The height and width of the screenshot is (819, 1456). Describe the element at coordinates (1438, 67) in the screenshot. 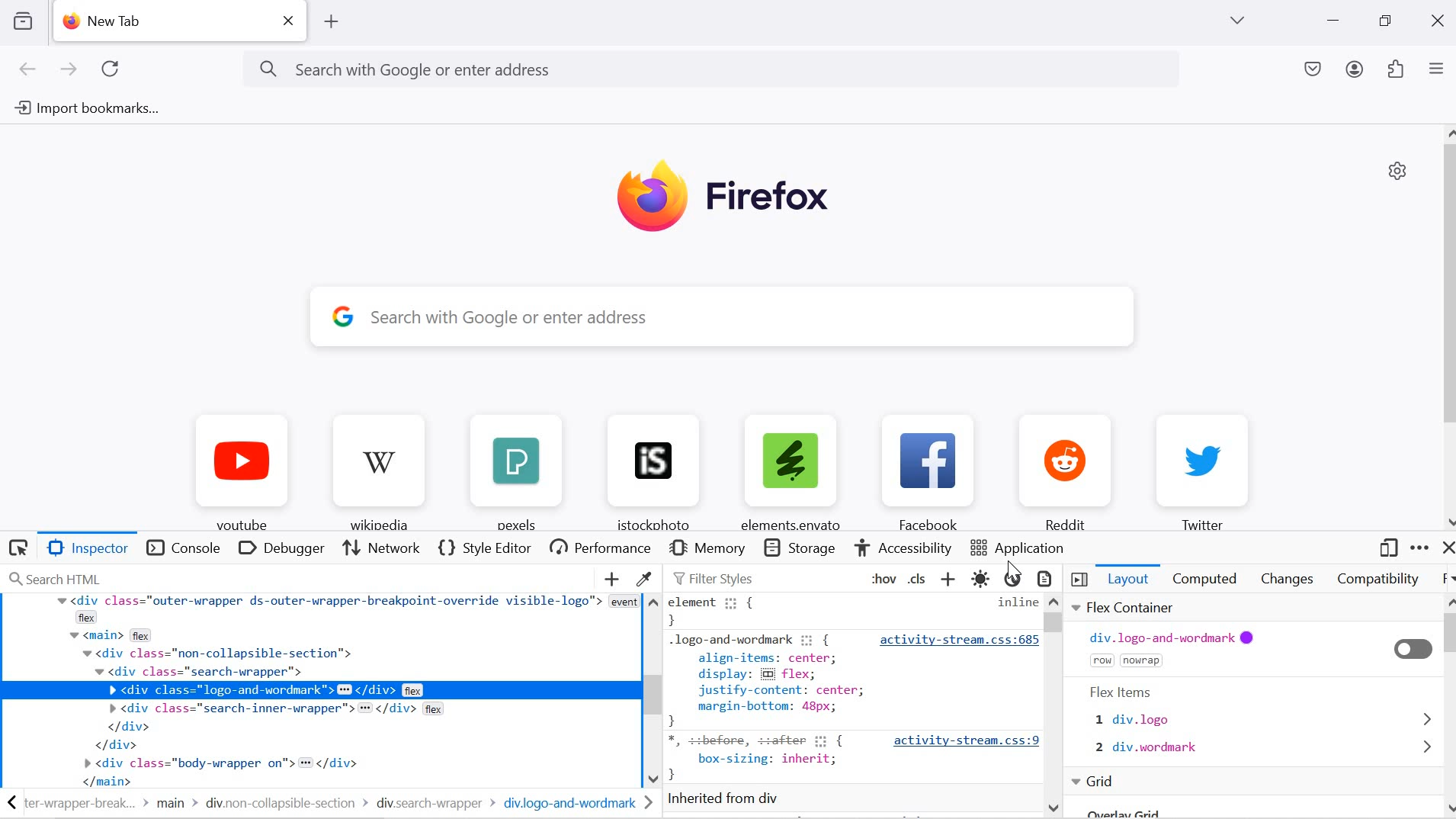

I see `open application menu` at that location.